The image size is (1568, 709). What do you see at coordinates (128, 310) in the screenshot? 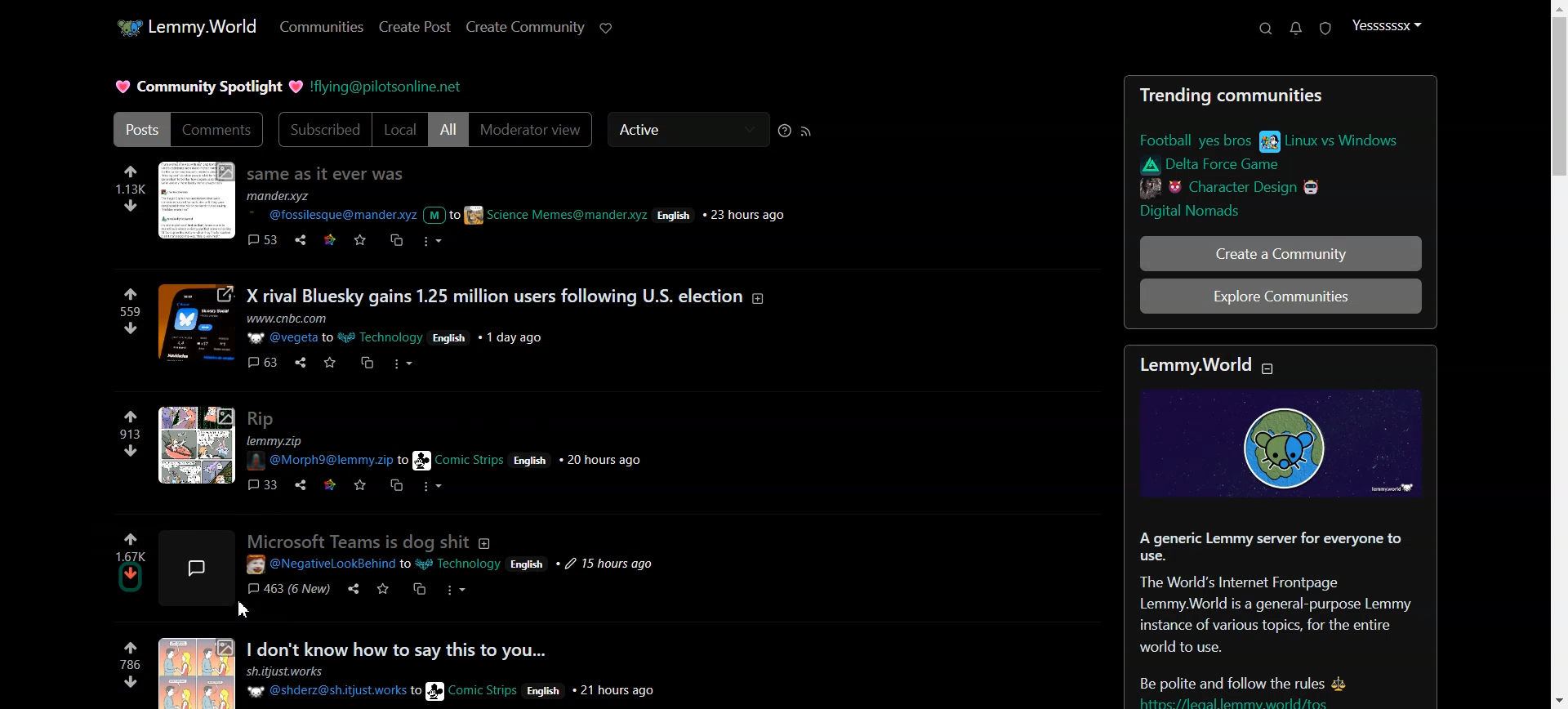
I see `559` at bounding box center [128, 310].